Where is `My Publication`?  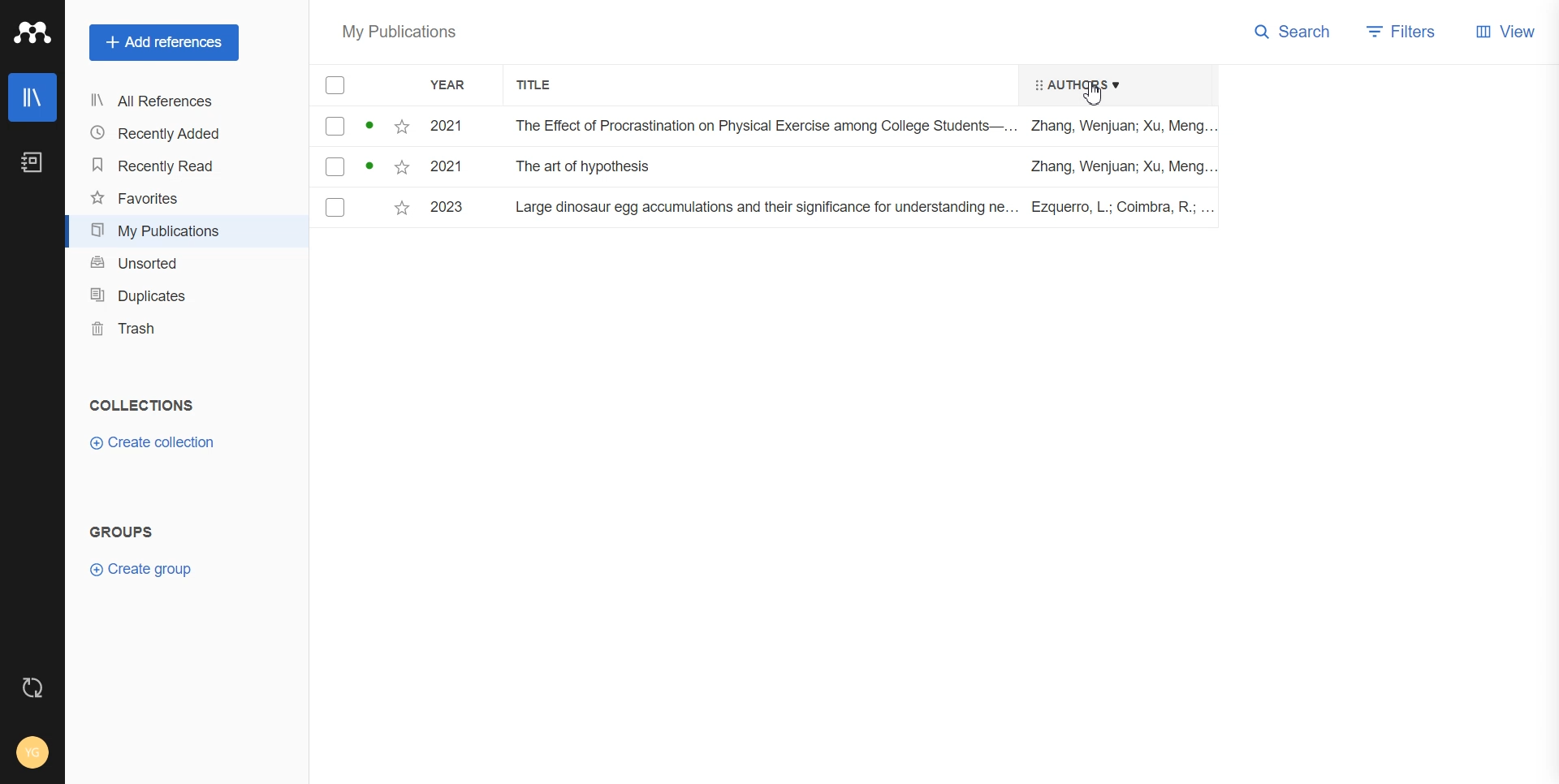 My Publication is located at coordinates (180, 230).